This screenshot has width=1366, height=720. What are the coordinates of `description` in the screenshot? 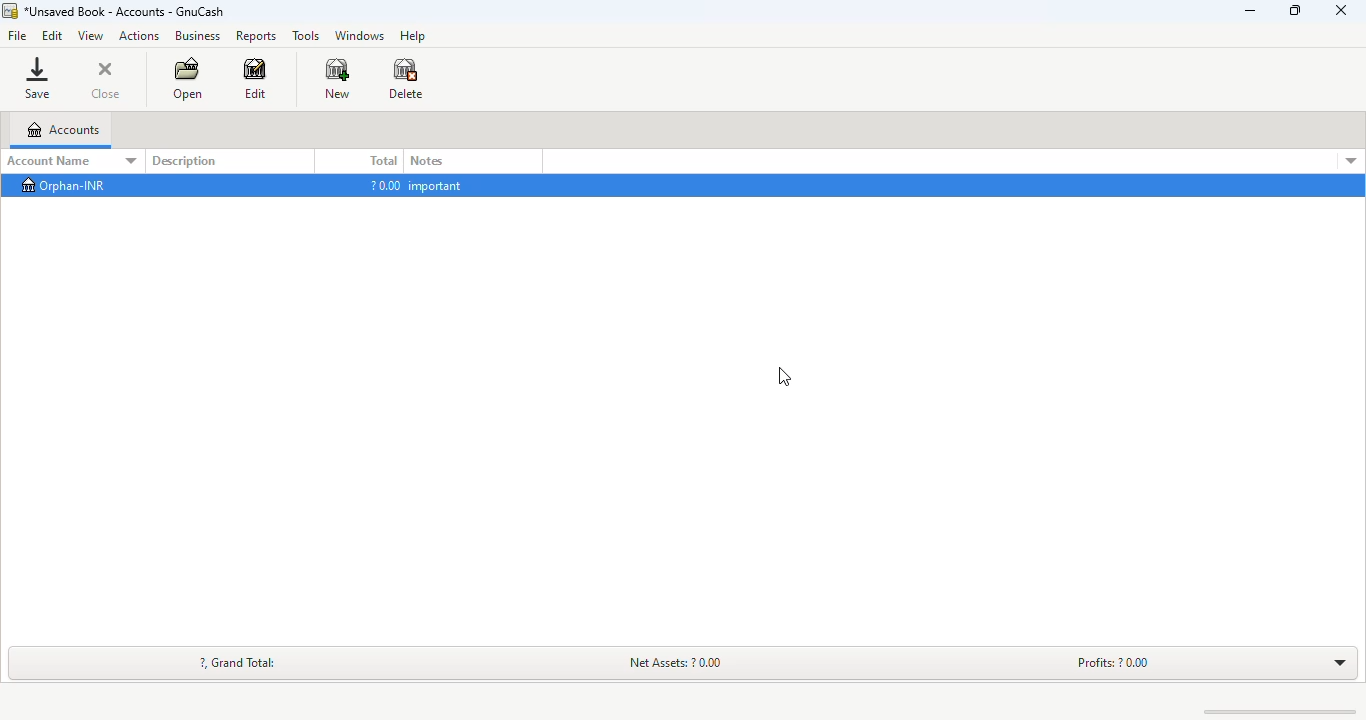 It's located at (184, 162).